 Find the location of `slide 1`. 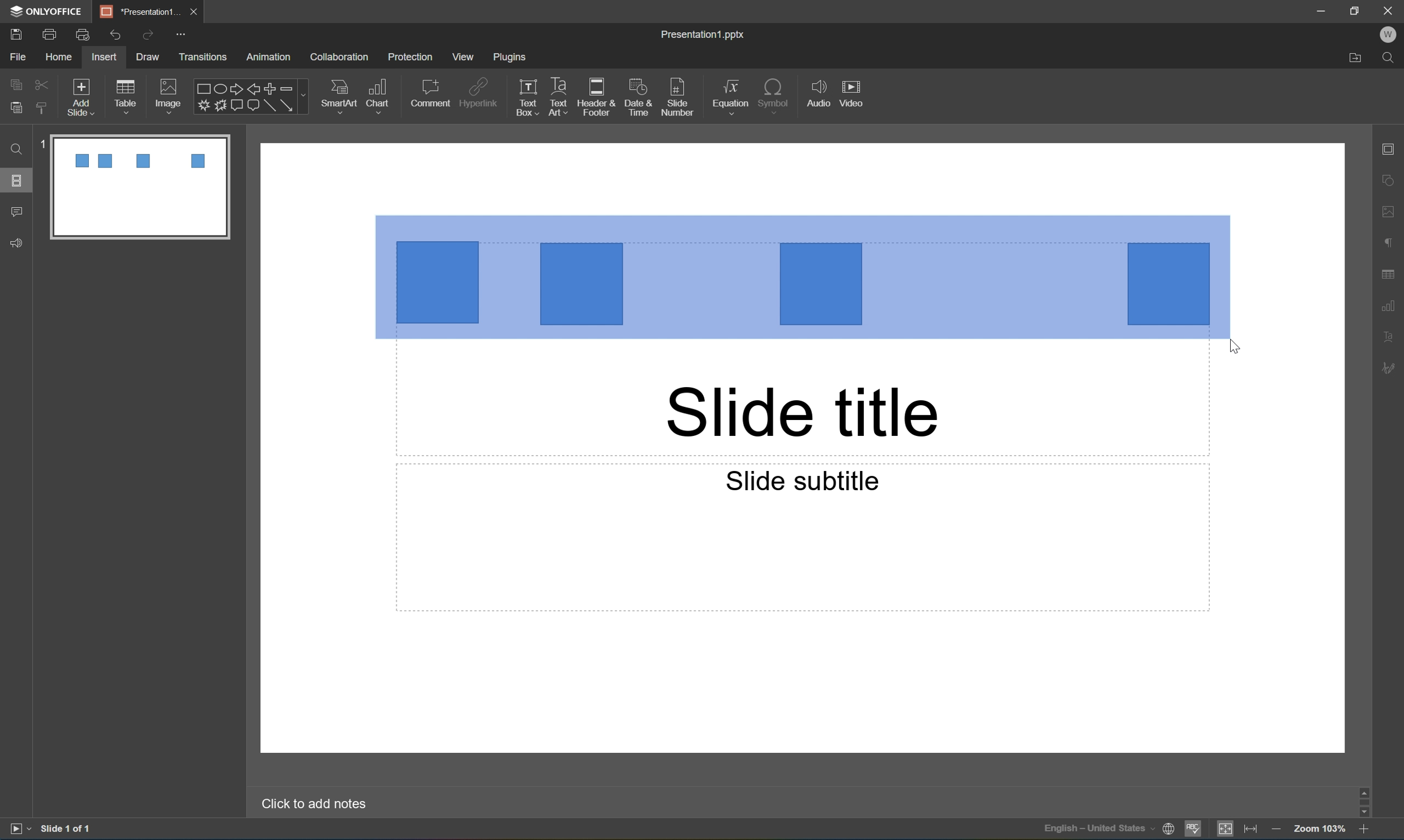

slide 1 is located at coordinates (132, 186).